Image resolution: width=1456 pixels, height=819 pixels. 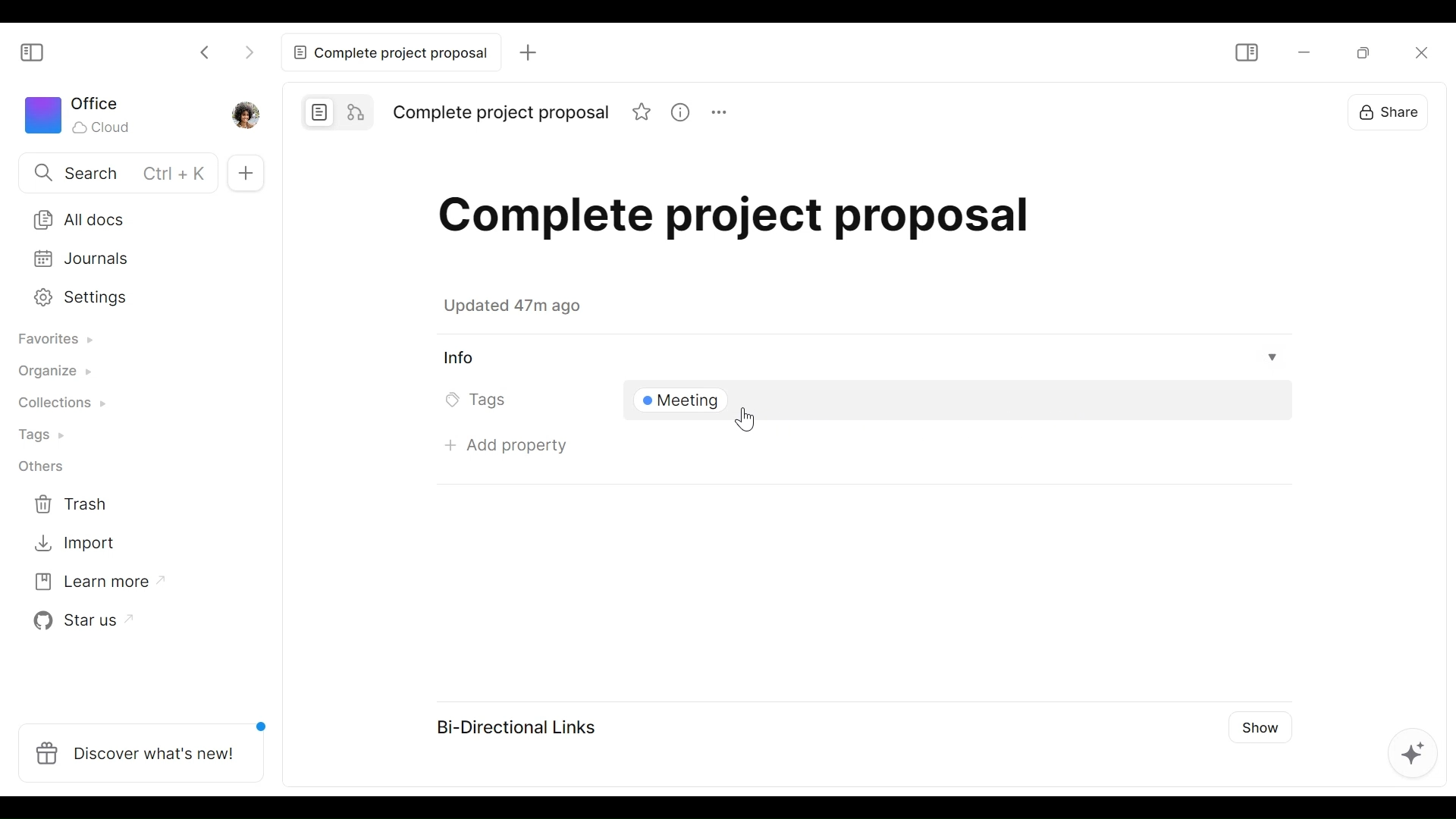 What do you see at coordinates (316, 110) in the screenshot?
I see `Page mode` at bounding box center [316, 110].